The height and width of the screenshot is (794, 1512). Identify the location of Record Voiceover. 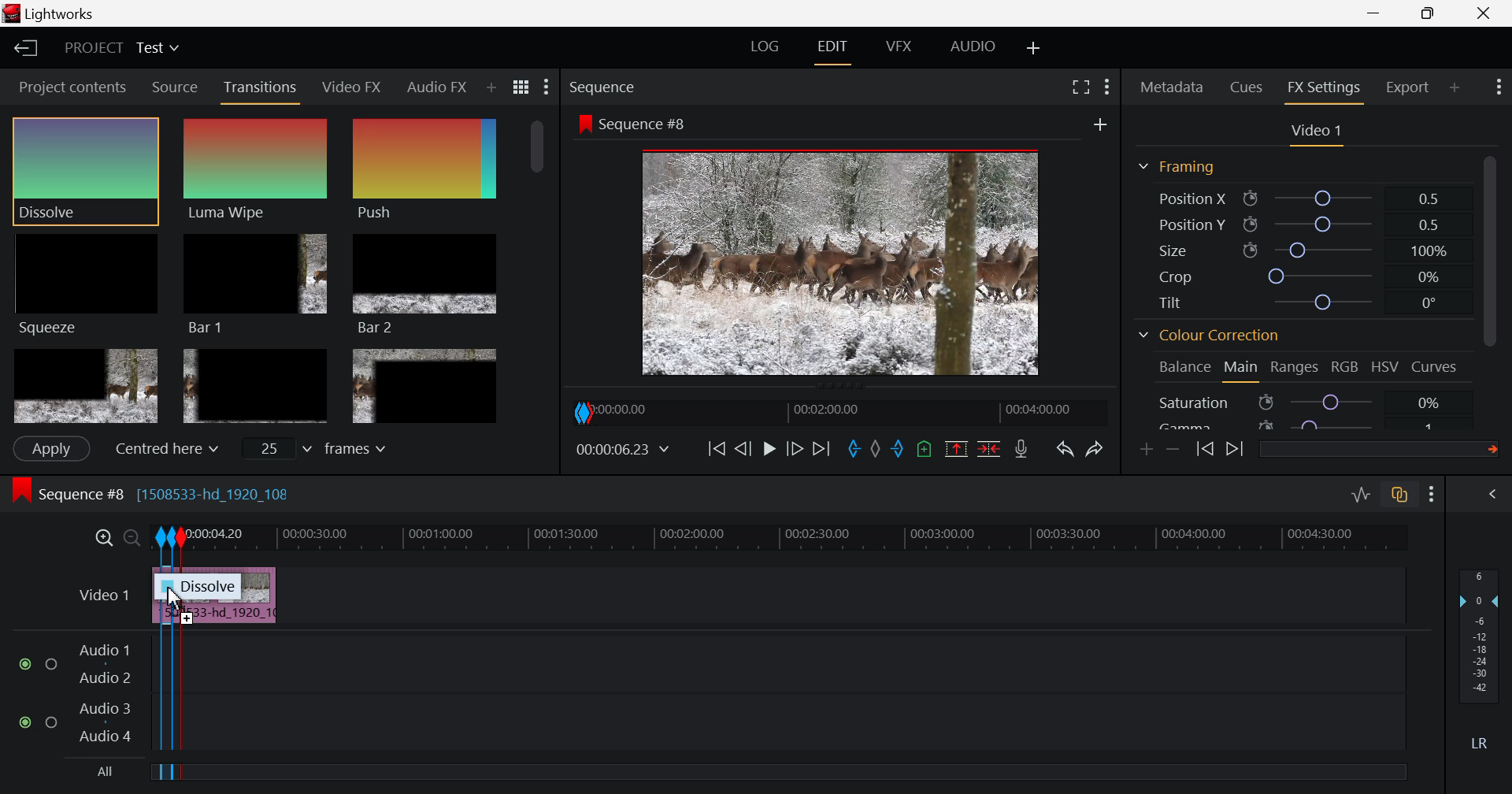
(1021, 449).